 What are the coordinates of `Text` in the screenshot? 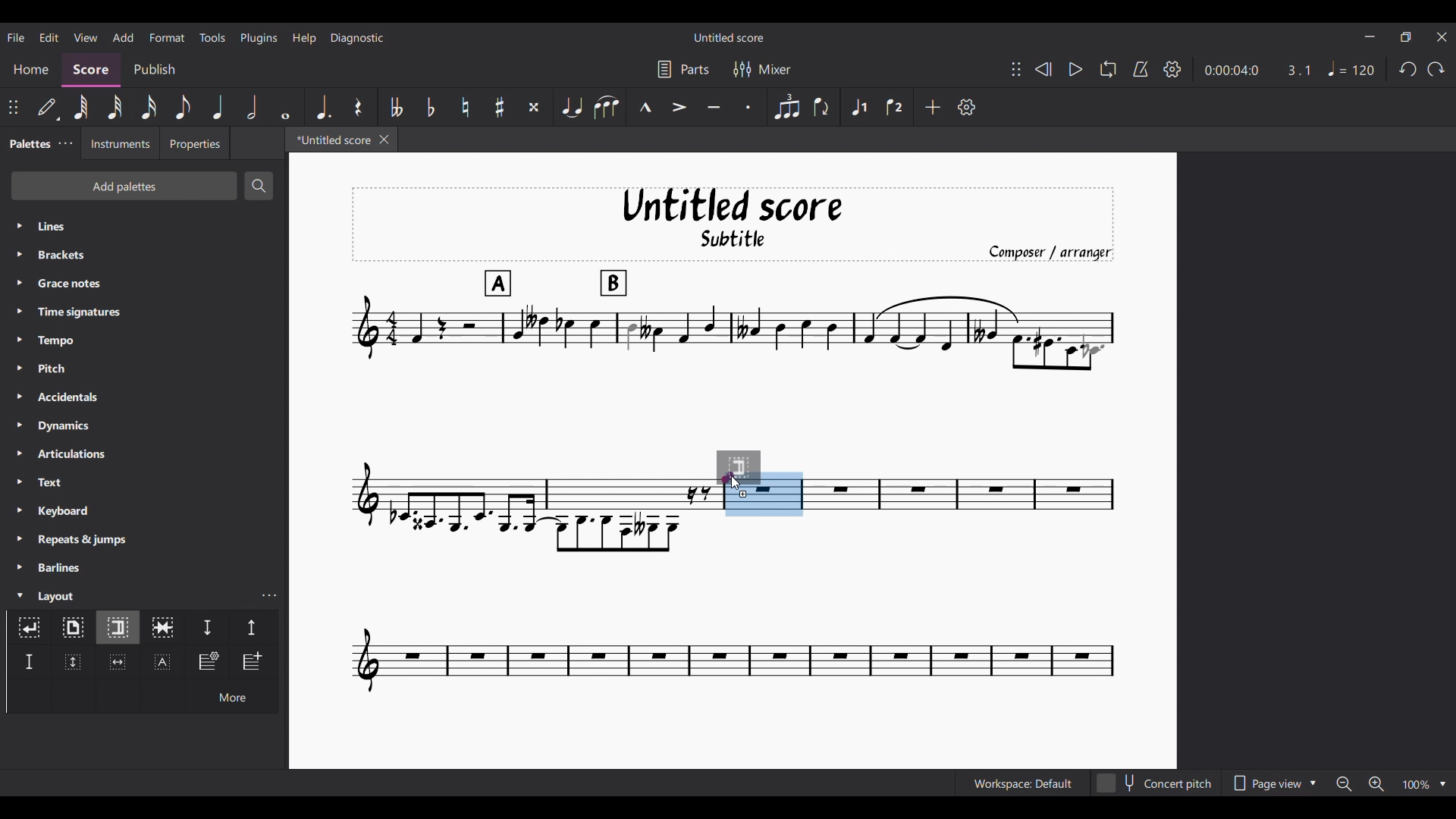 It's located at (144, 482).